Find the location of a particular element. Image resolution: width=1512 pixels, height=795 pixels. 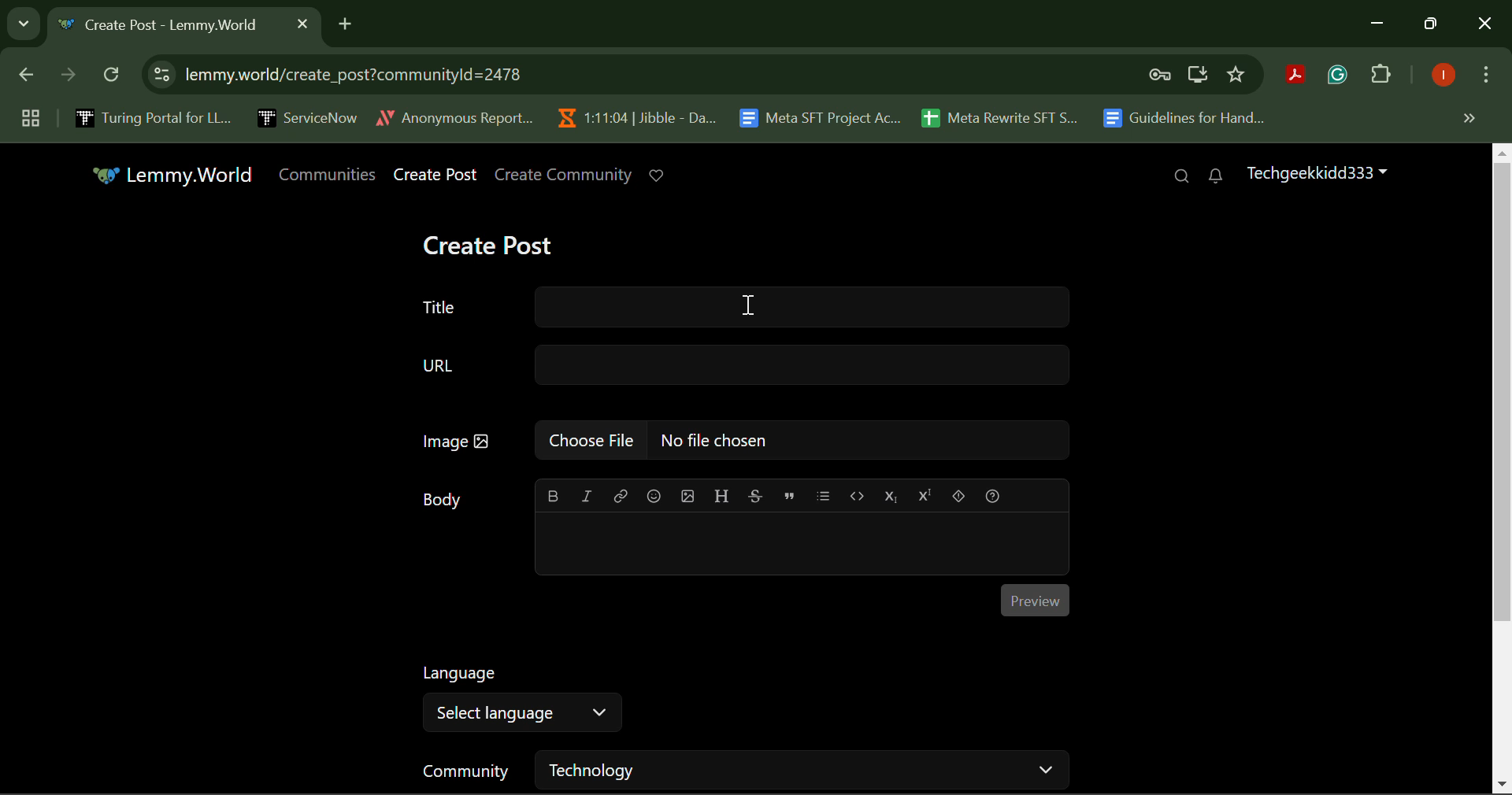

Select Language is located at coordinates (521, 699).